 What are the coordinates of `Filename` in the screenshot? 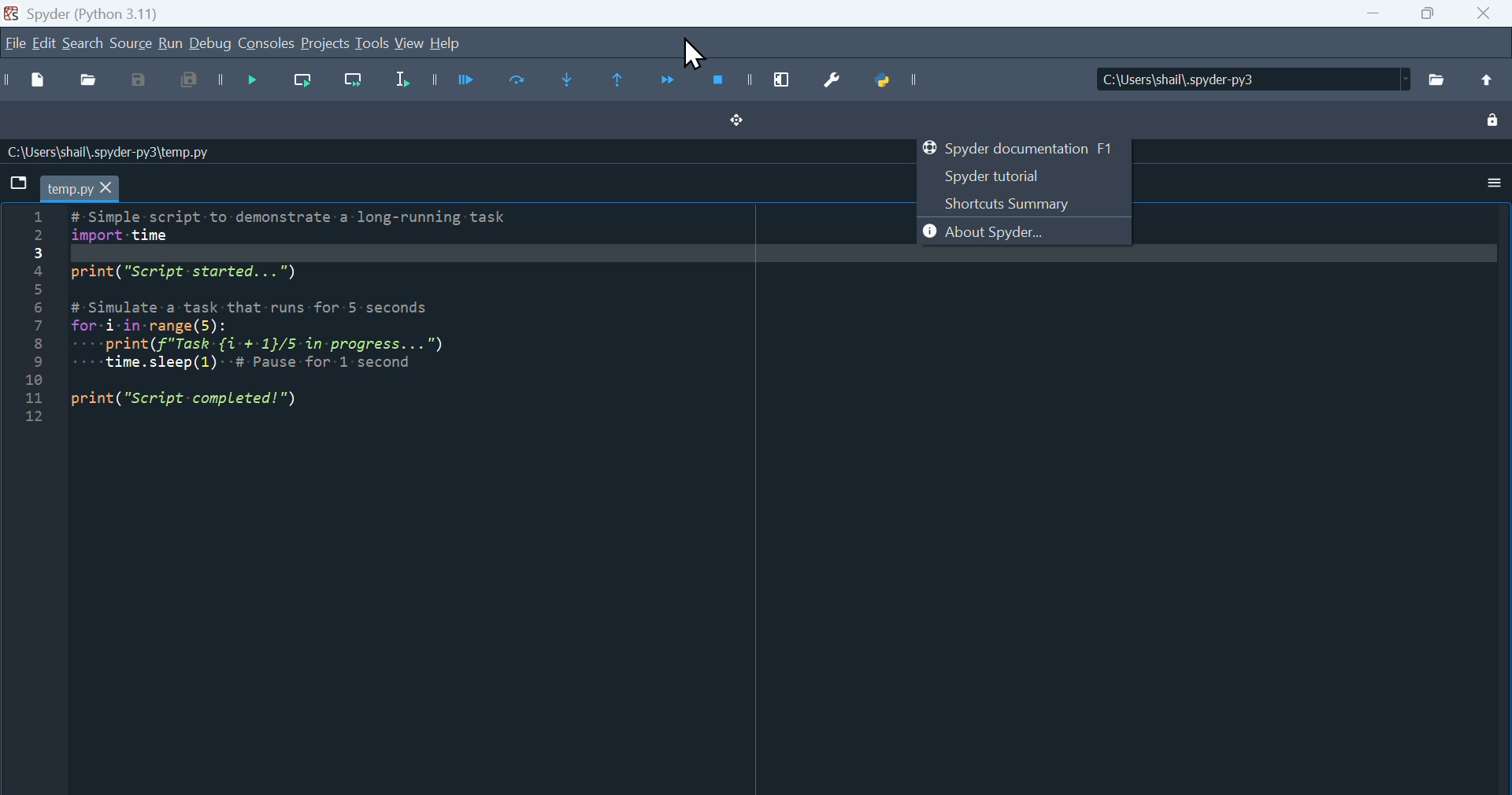 It's located at (88, 187).